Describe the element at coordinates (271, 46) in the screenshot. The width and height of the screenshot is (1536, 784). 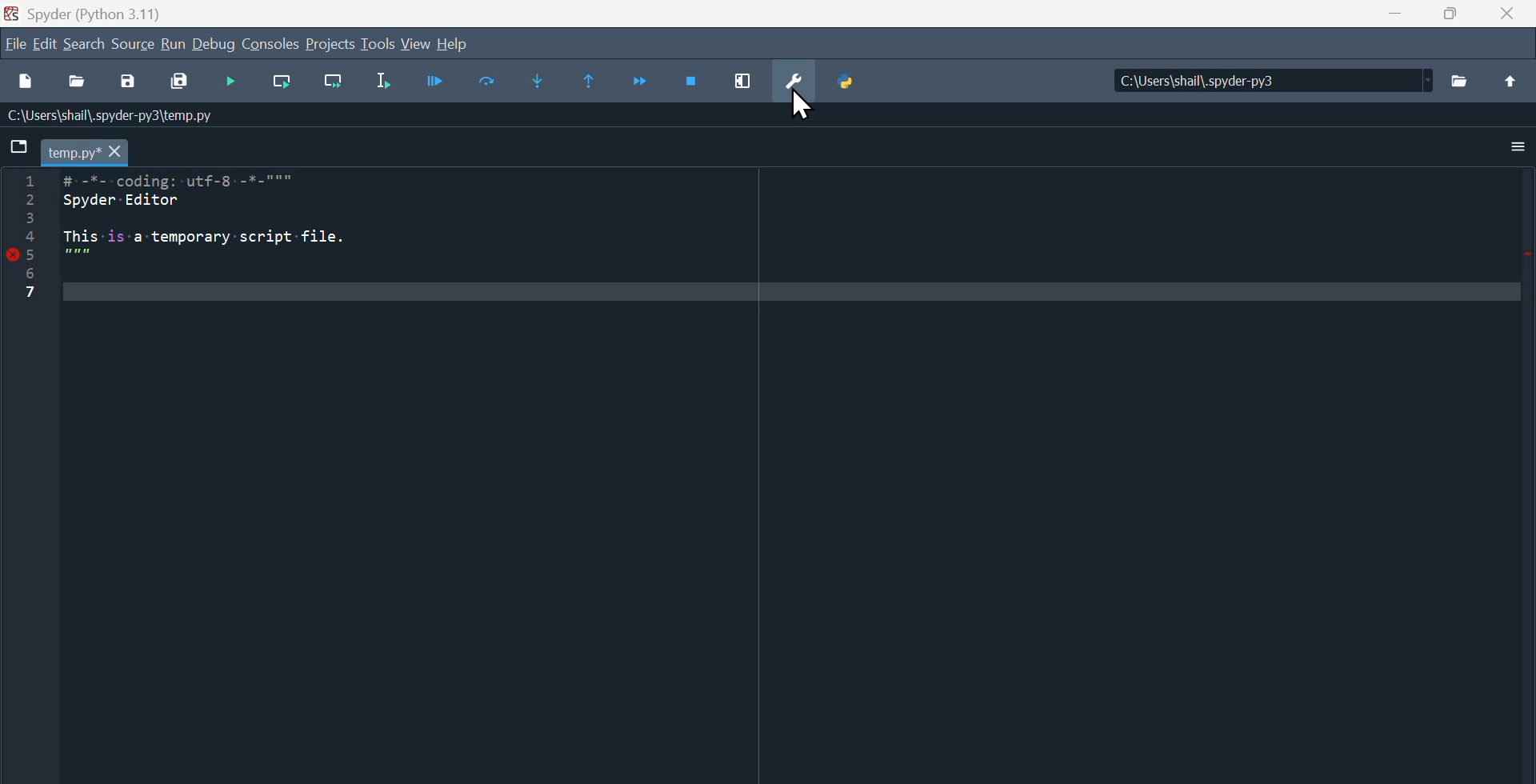
I see `Consoles` at that location.